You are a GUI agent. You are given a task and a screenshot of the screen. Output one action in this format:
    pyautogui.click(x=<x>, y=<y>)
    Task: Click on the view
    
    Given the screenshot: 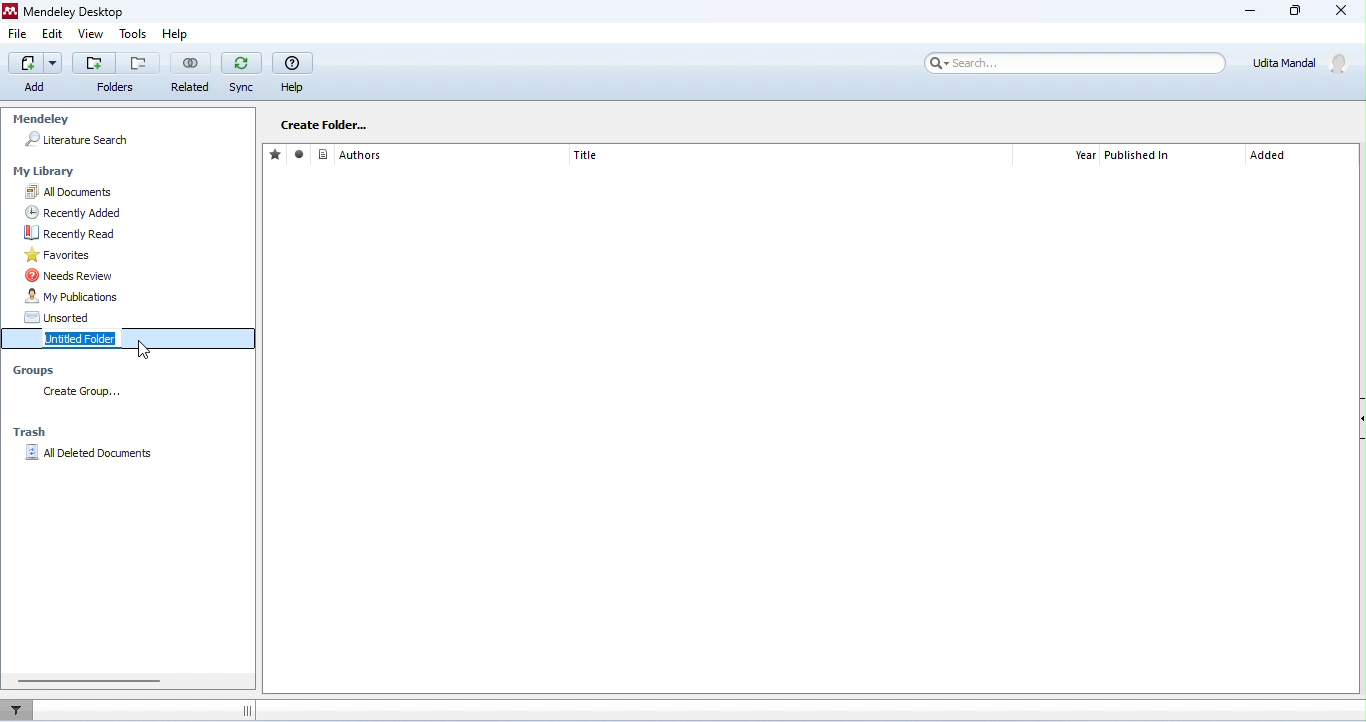 What is the action you would take?
    pyautogui.click(x=90, y=34)
    